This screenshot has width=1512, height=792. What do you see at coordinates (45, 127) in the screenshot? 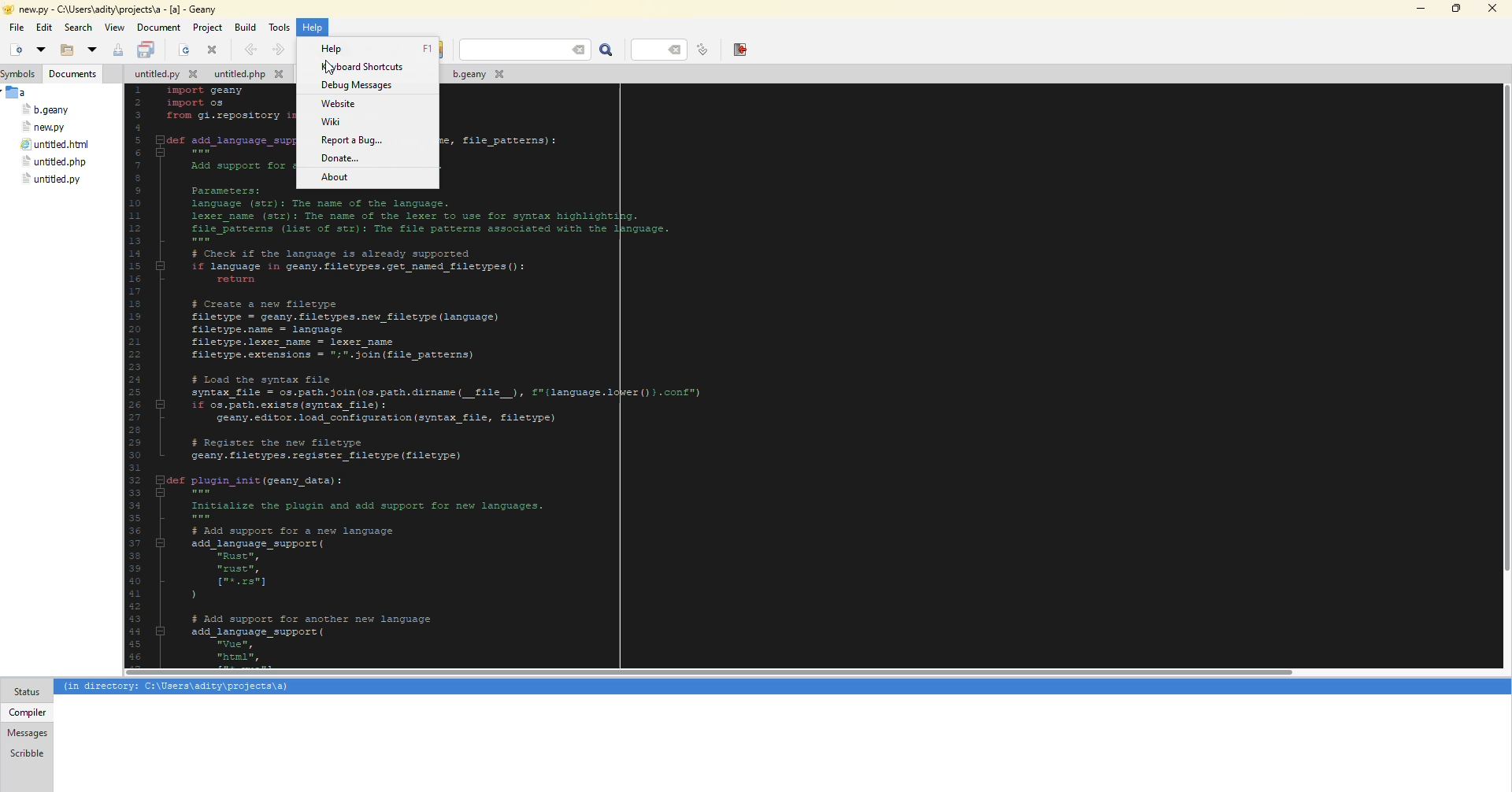
I see `file` at bounding box center [45, 127].